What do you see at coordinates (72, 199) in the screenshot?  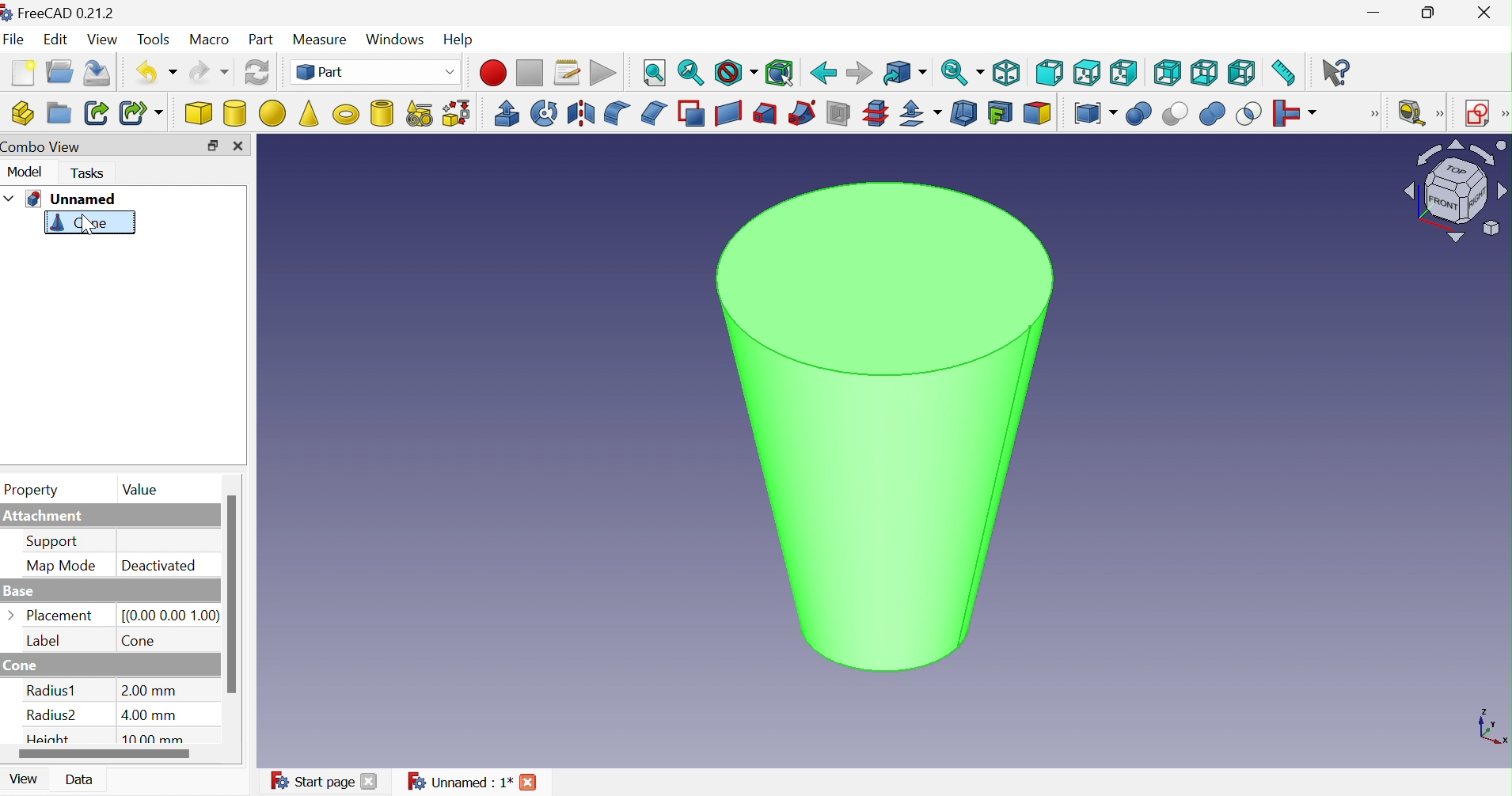 I see `Unnamed` at bounding box center [72, 199].